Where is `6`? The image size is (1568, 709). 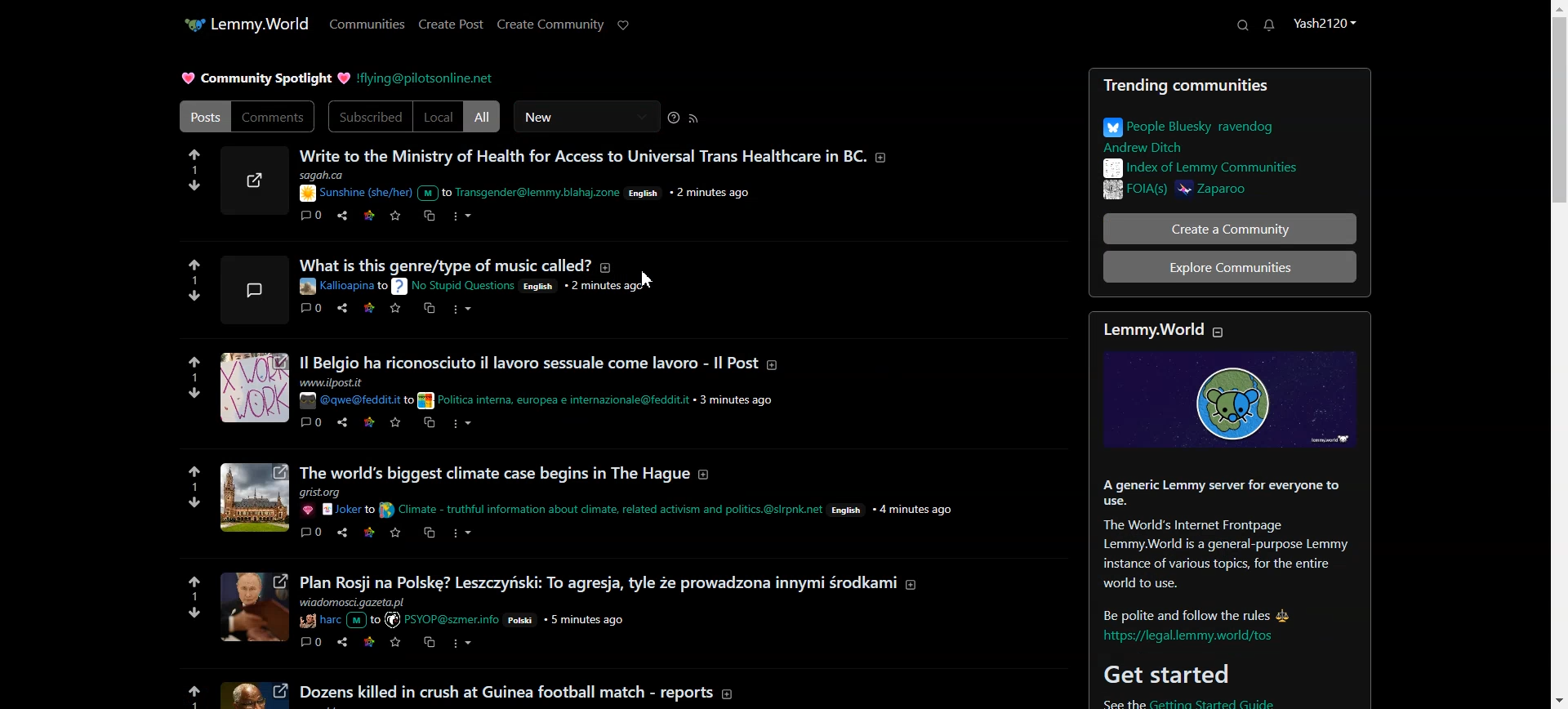
6 is located at coordinates (190, 170).